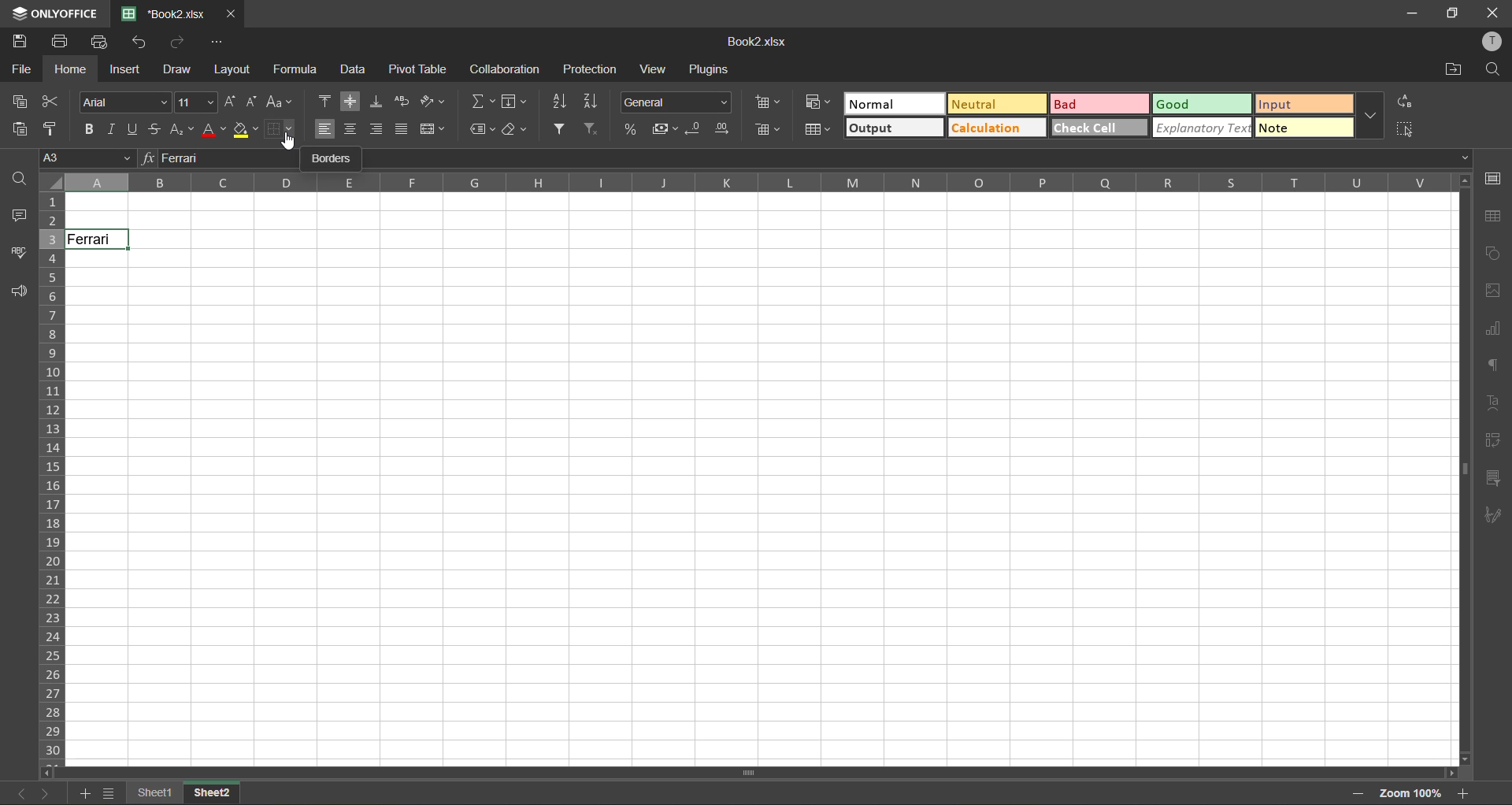 This screenshot has height=805, width=1512. I want to click on explanatory text, so click(1202, 128).